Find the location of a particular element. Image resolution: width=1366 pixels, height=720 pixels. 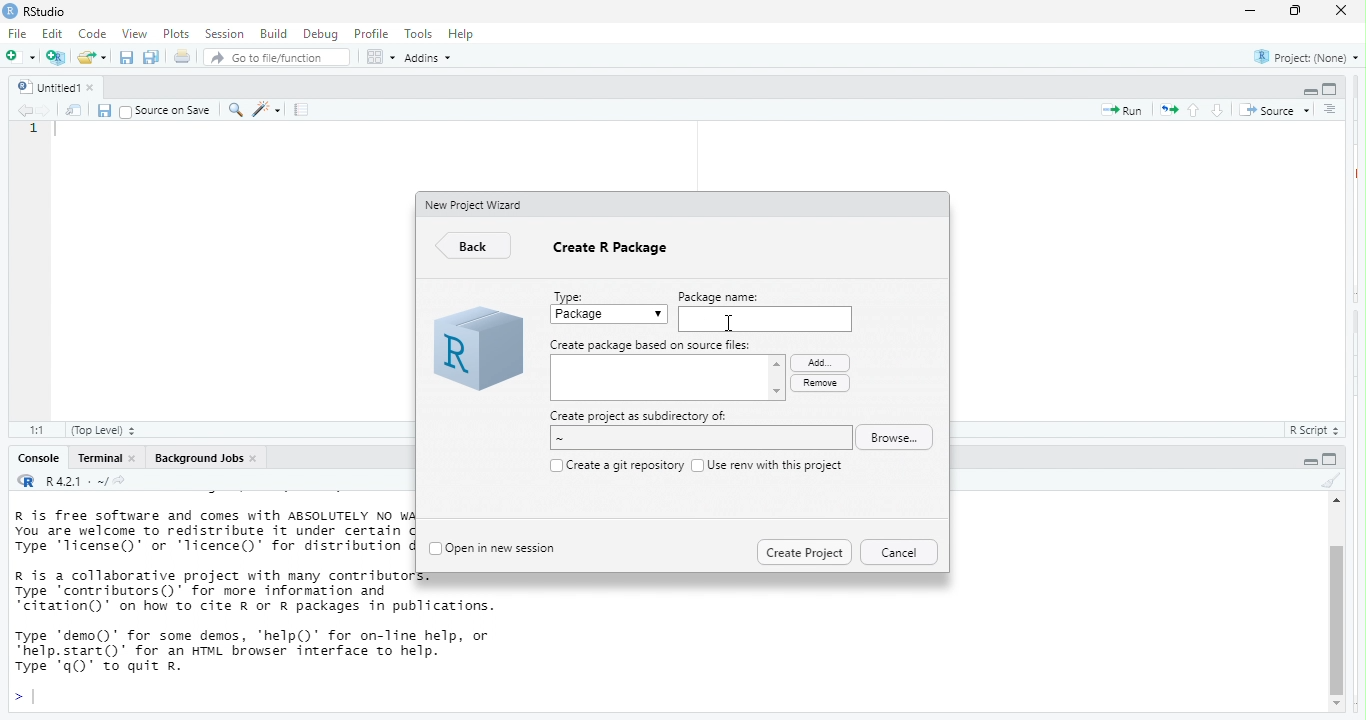

 R421: ~/ is located at coordinates (96, 481).